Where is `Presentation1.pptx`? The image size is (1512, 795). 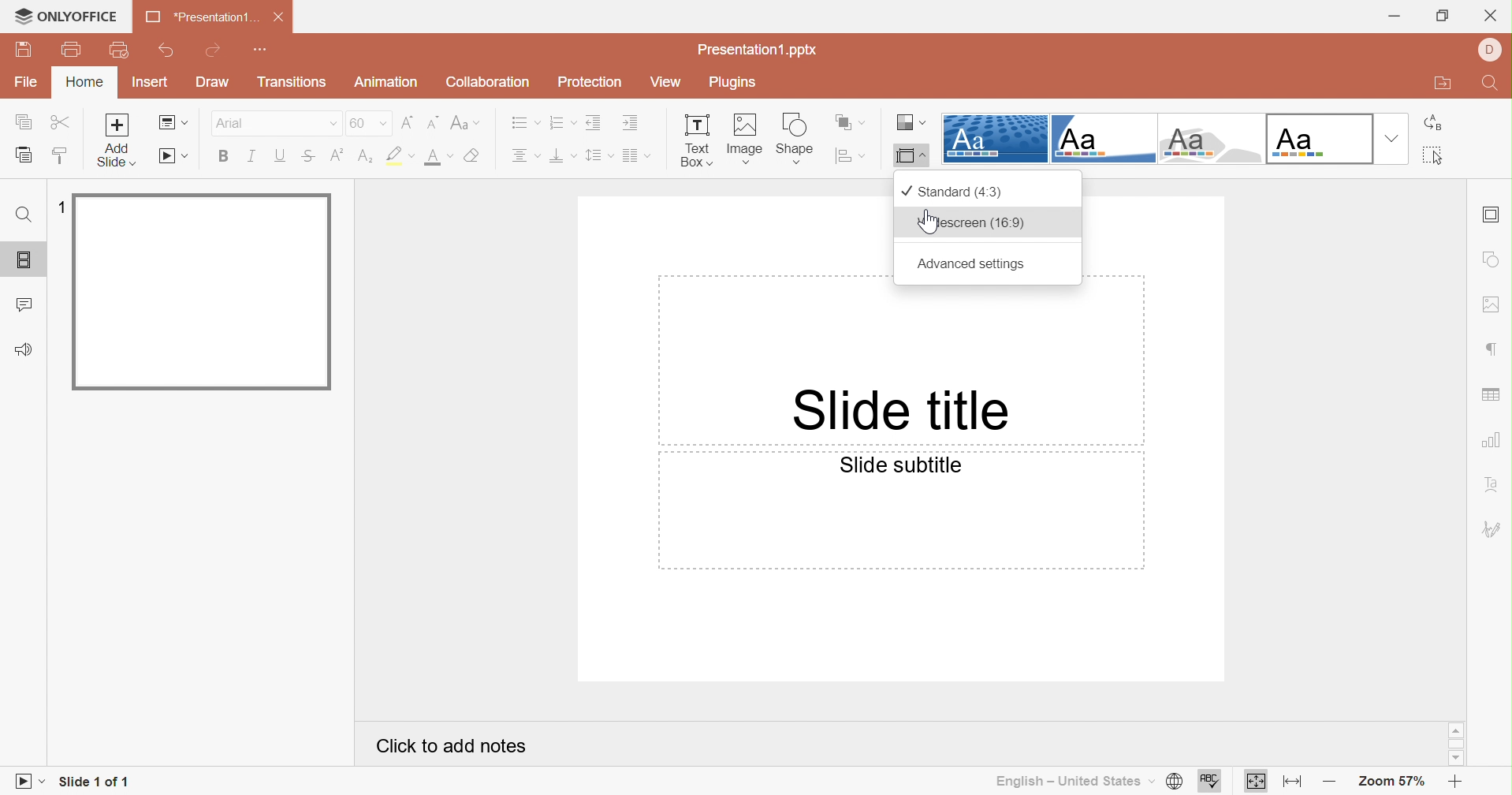 Presentation1.pptx is located at coordinates (754, 49).